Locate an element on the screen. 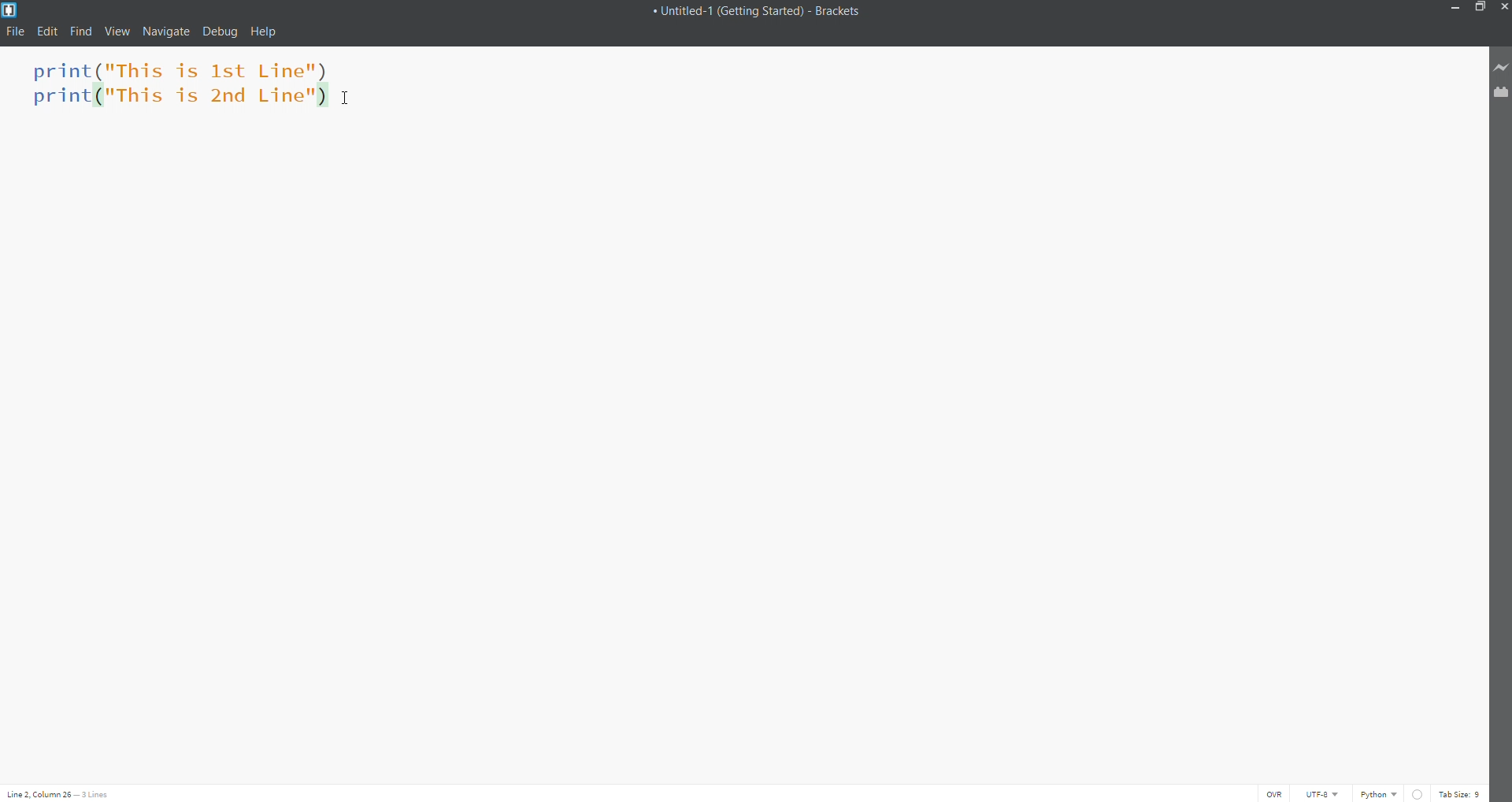 The width and height of the screenshot is (1512, 802). Live Preview is located at coordinates (1500, 68).